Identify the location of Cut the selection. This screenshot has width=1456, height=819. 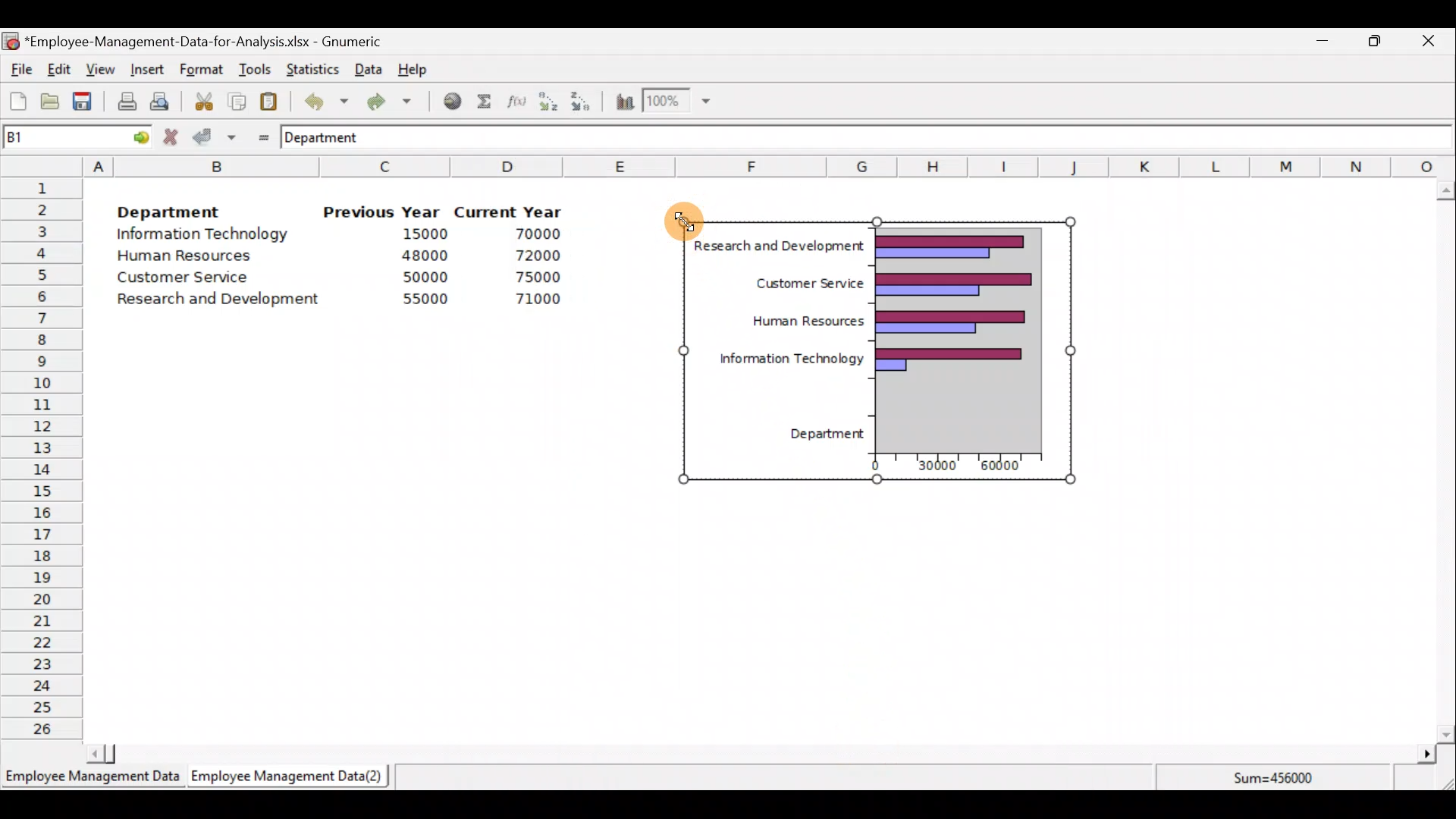
(199, 99).